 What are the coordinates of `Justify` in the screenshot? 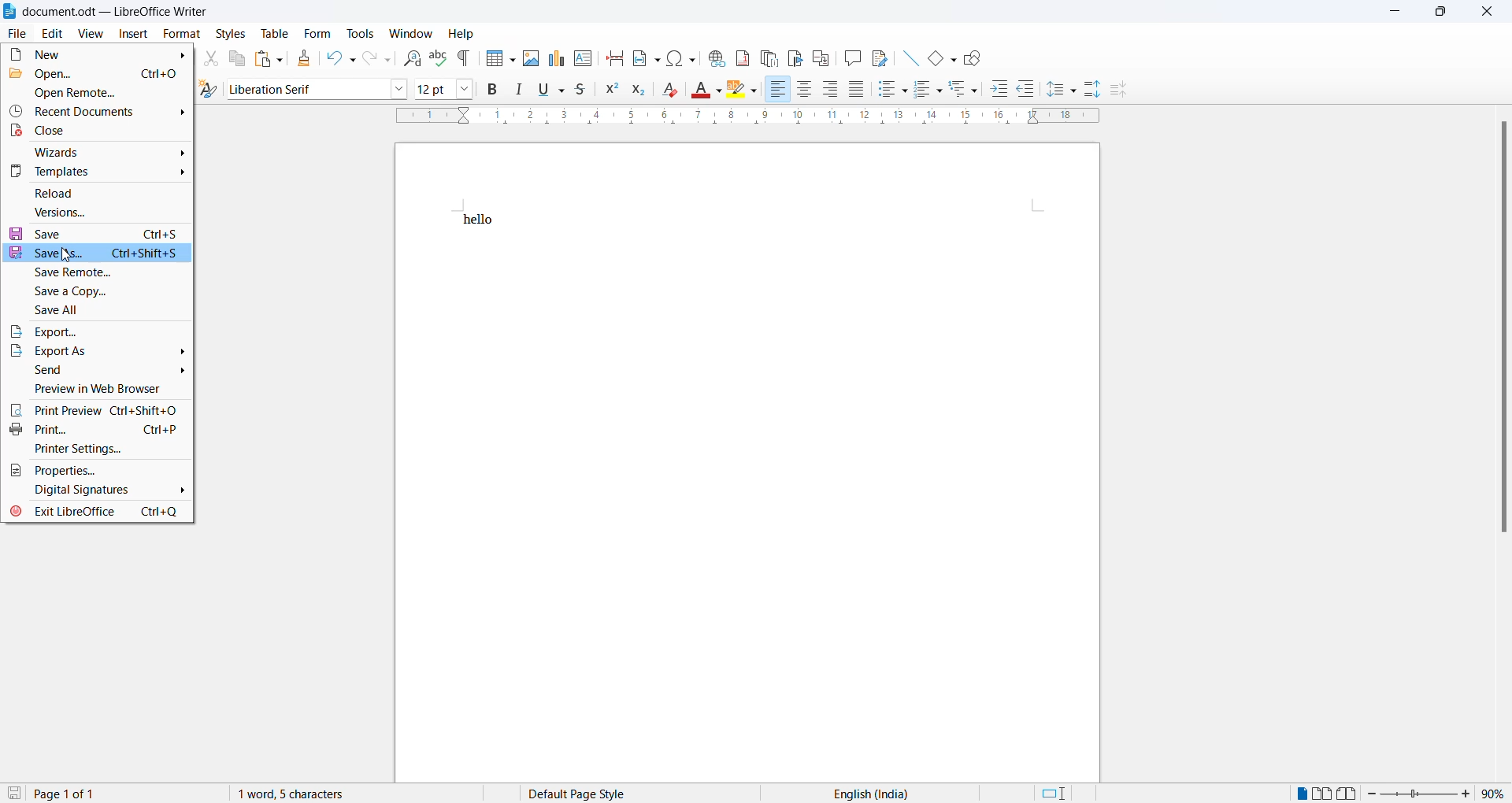 It's located at (856, 91).